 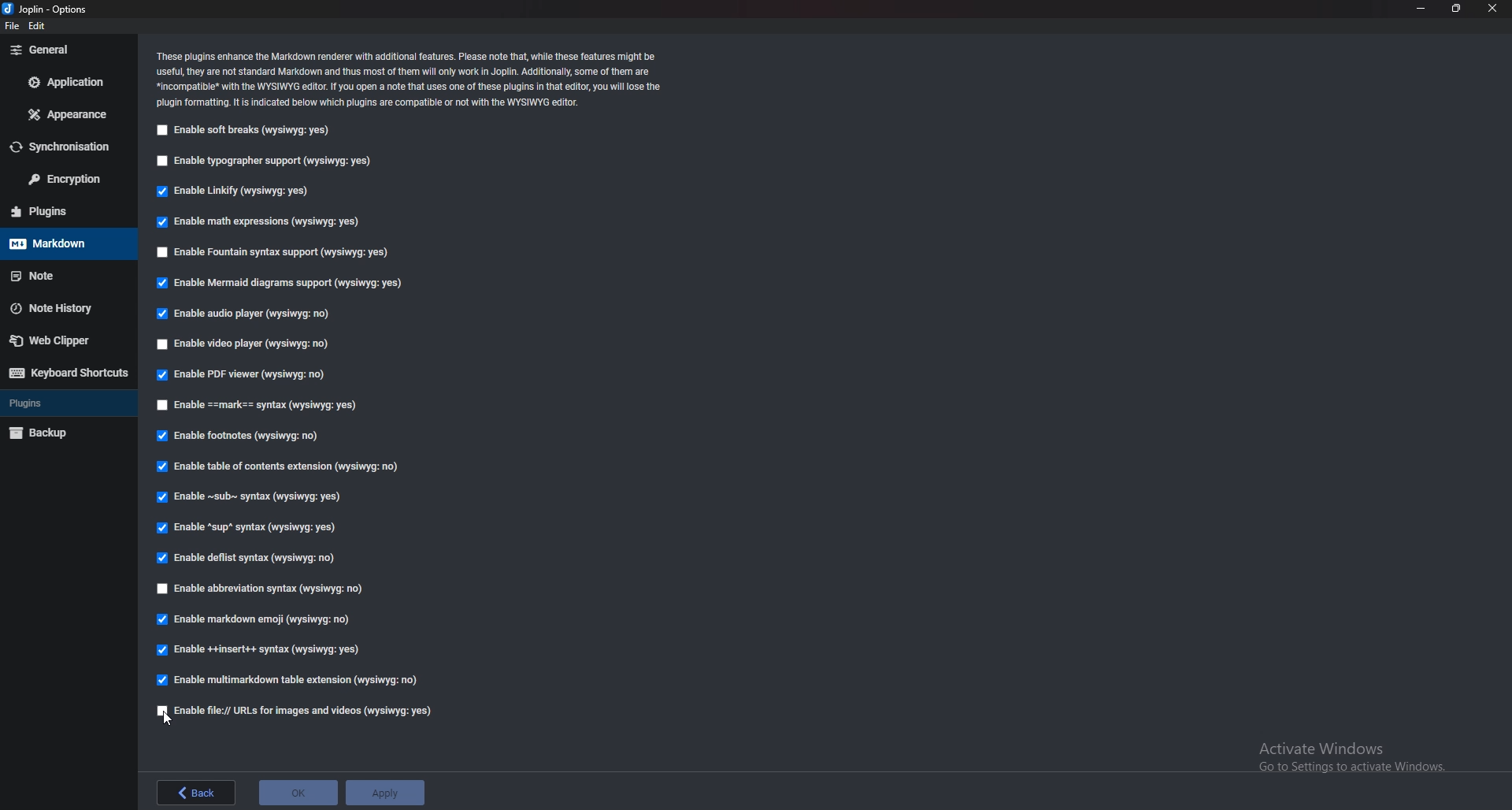 What do you see at coordinates (272, 405) in the screenshot?
I see `enable Mark syntax` at bounding box center [272, 405].